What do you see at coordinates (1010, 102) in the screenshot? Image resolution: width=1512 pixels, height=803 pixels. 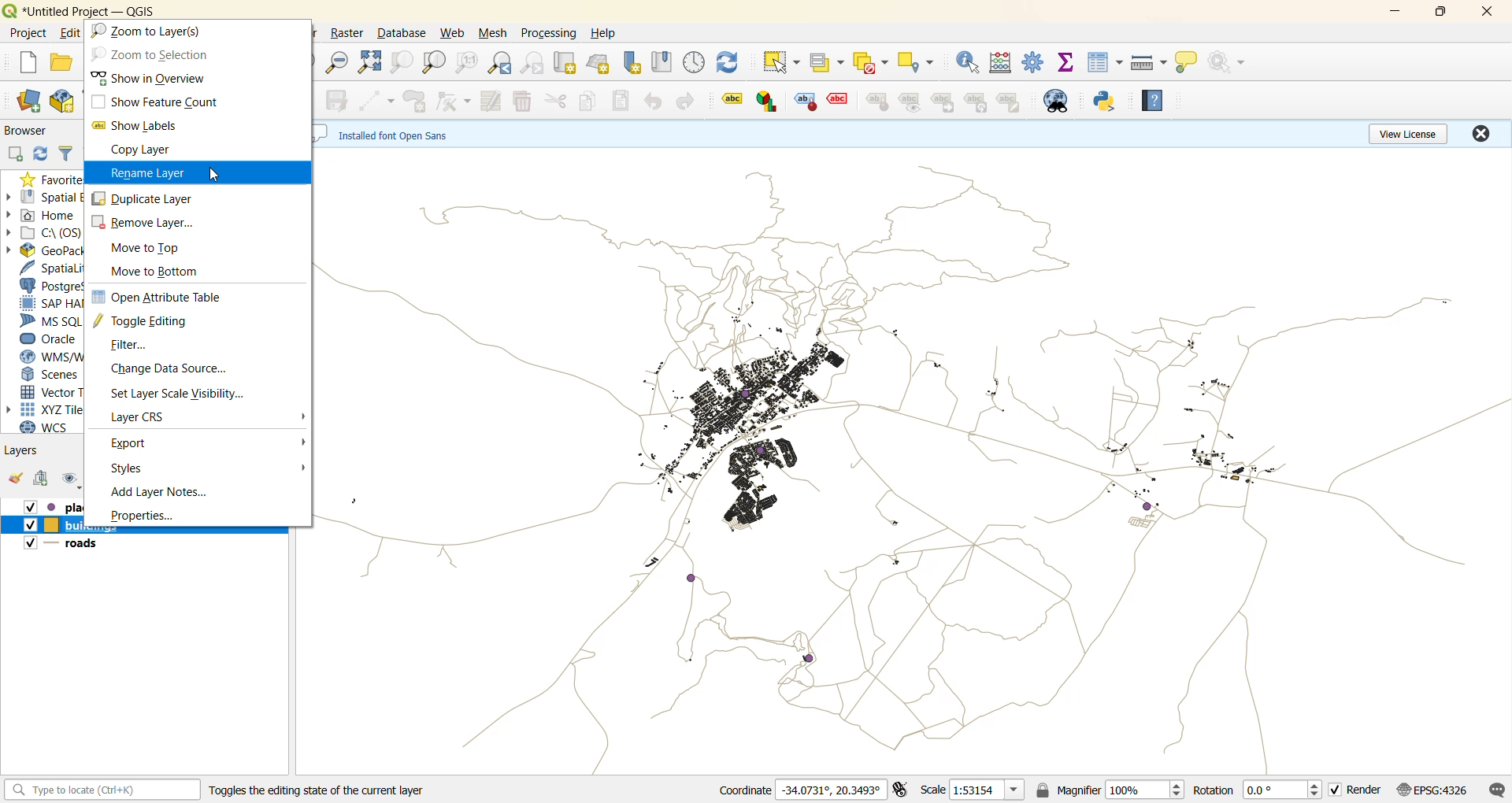 I see `note` at bounding box center [1010, 102].